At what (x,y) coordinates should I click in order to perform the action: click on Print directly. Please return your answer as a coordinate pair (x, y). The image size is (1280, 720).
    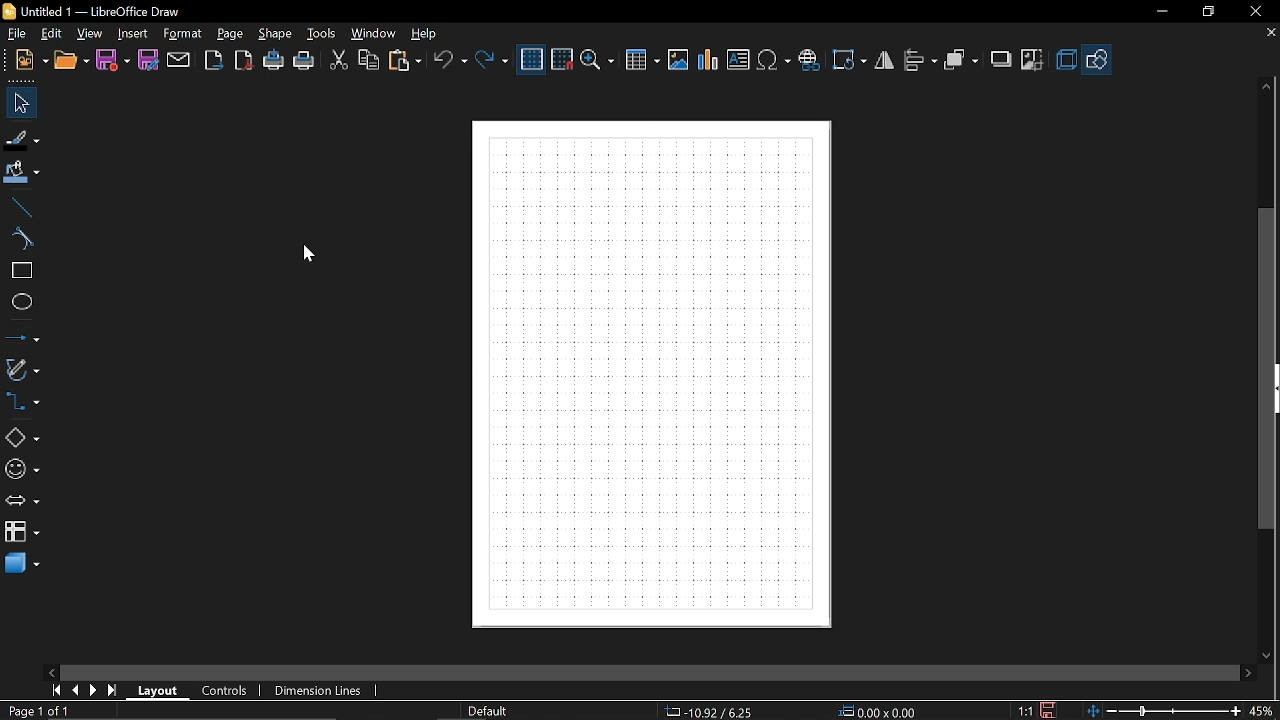
    Looking at the image, I should click on (274, 61).